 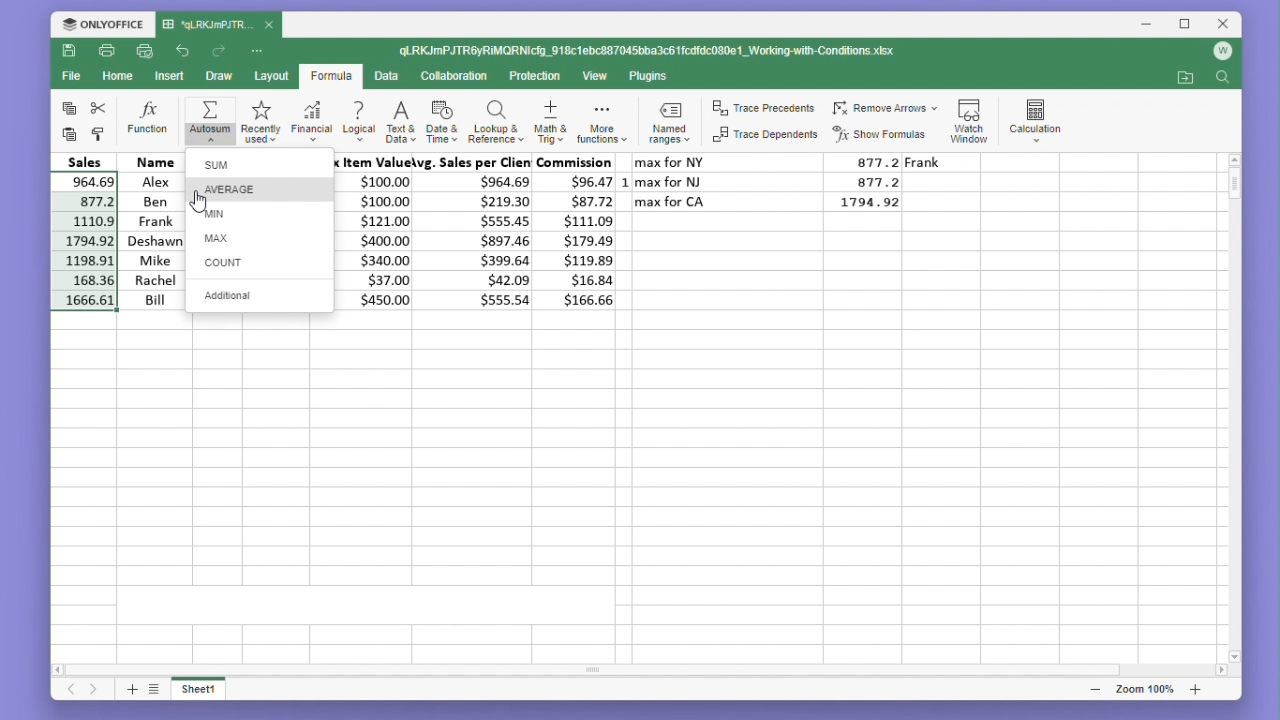 I want to click on Previous sheet, so click(x=64, y=693).